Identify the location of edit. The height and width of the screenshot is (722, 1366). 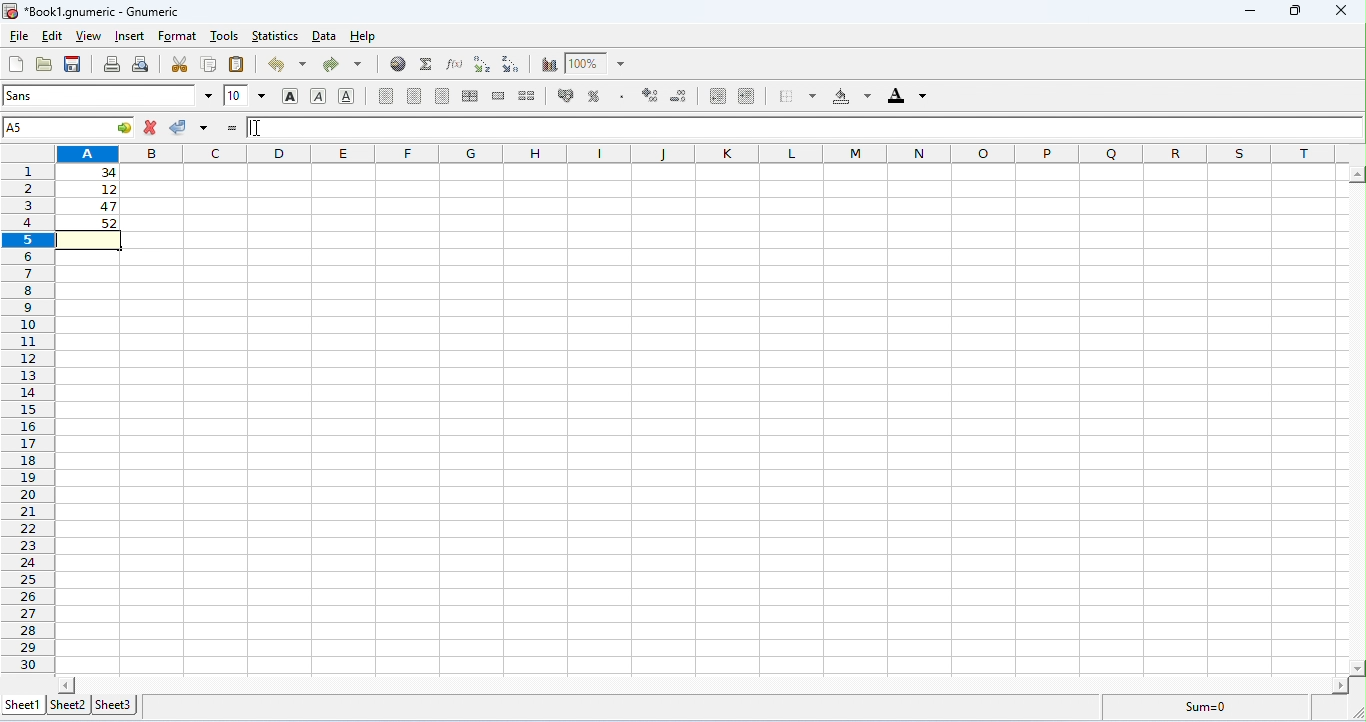
(52, 37).